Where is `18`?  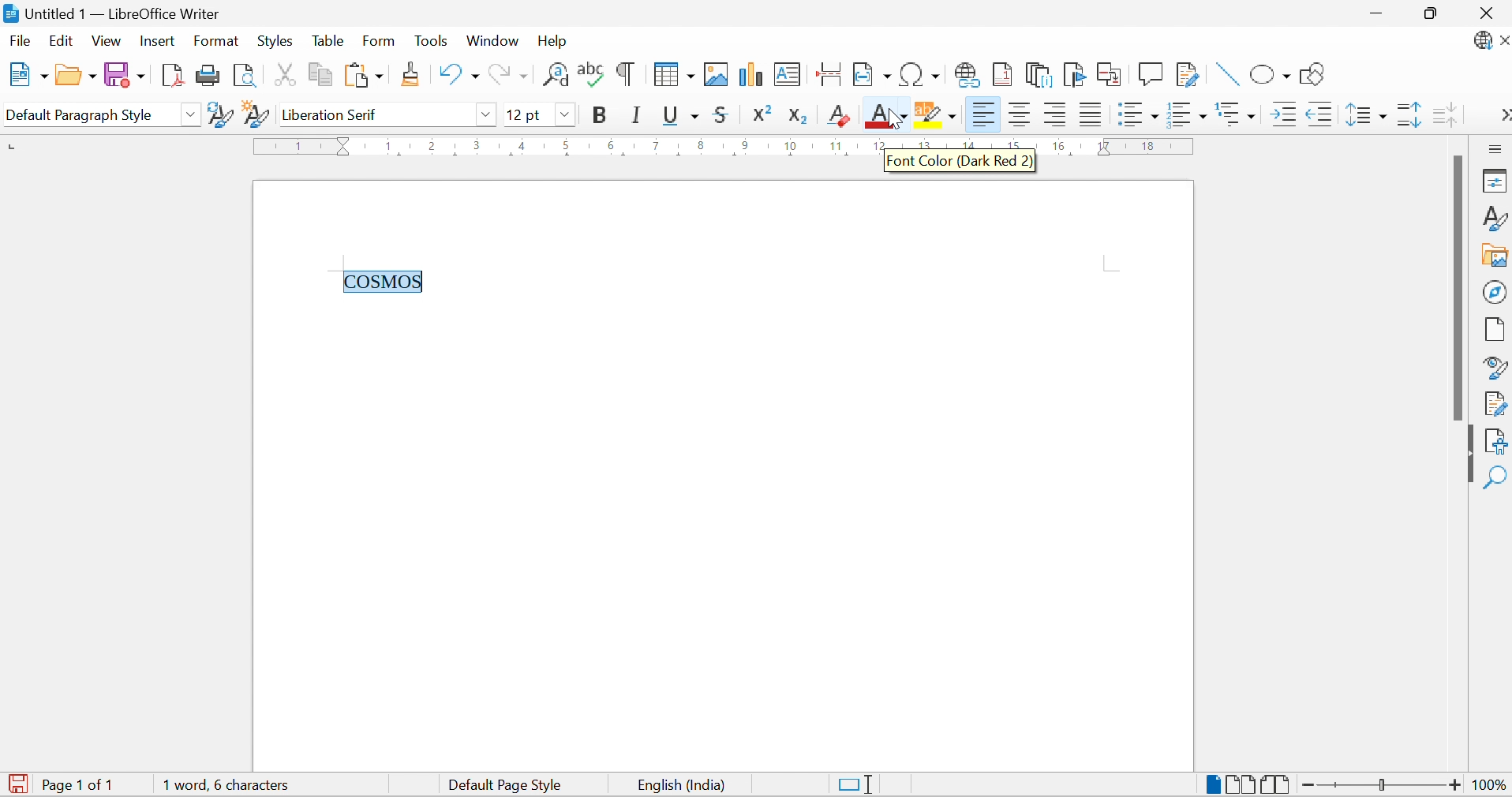 18 is located at coordinates (1149, 145).